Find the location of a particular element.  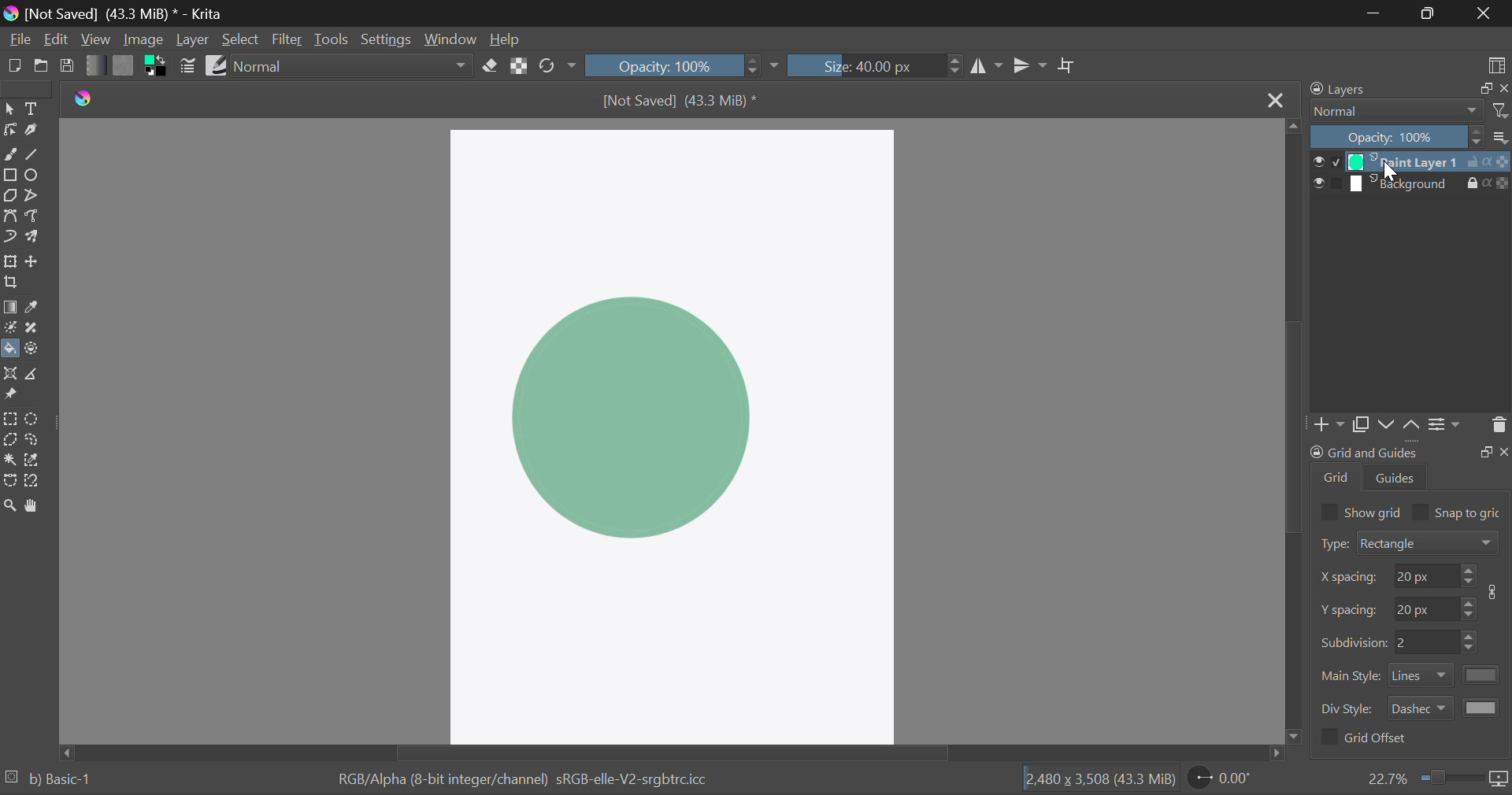

Move Layer is located at coordinates (34, 262).